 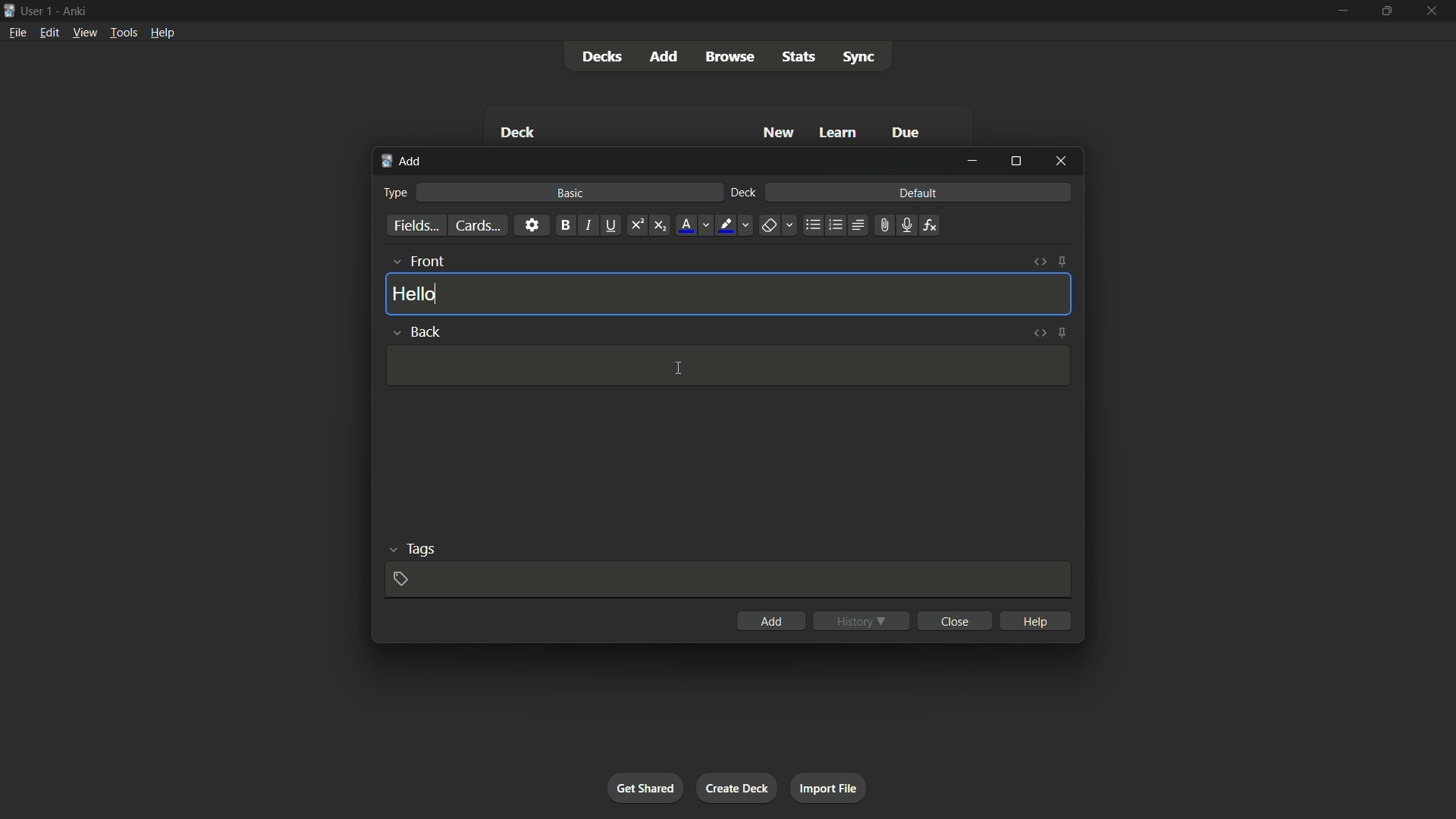 I want to click on bold, so click(x=564, y=224).